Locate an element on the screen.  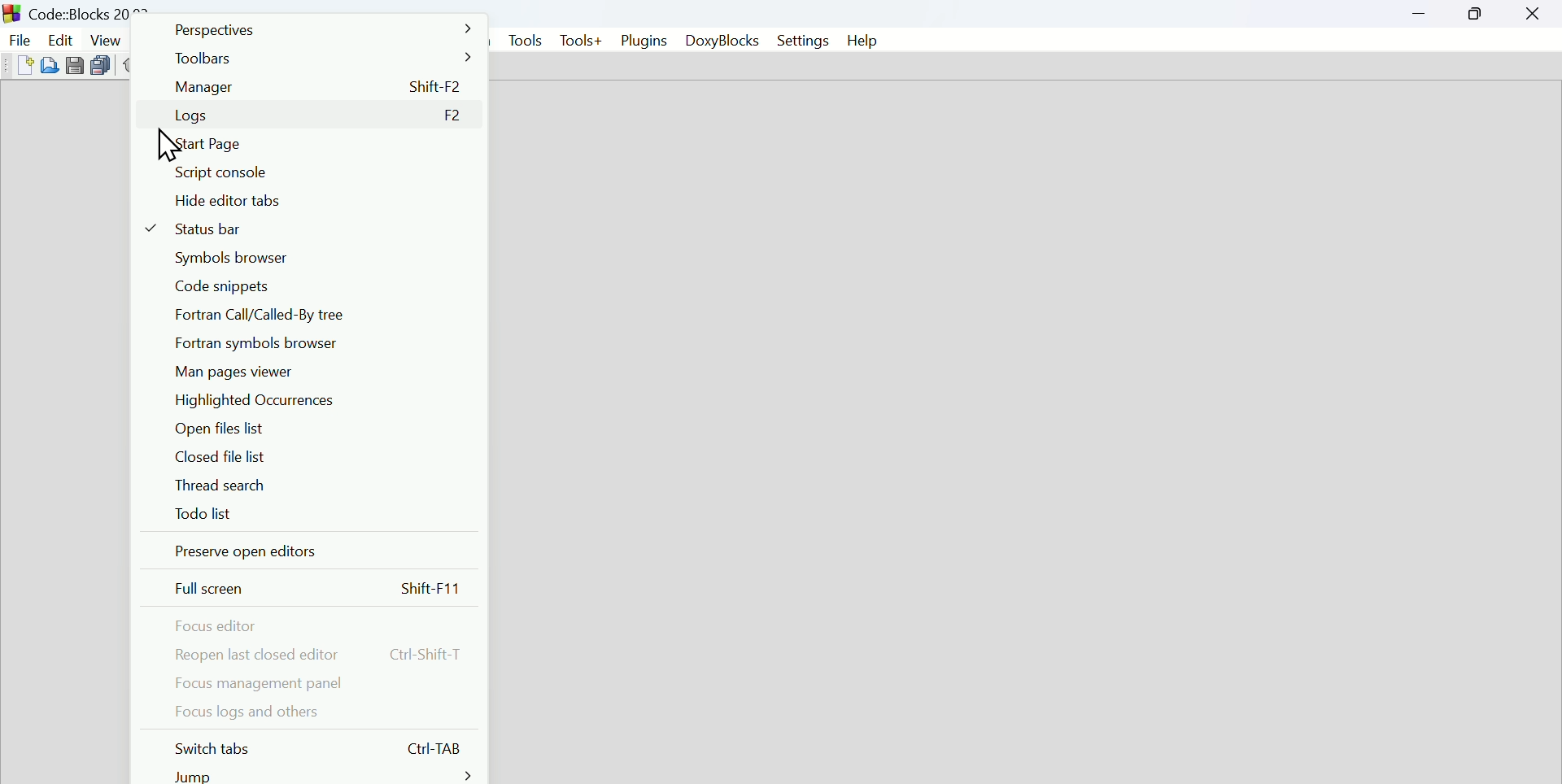
Perspectives is located at coordinates (318, 29).